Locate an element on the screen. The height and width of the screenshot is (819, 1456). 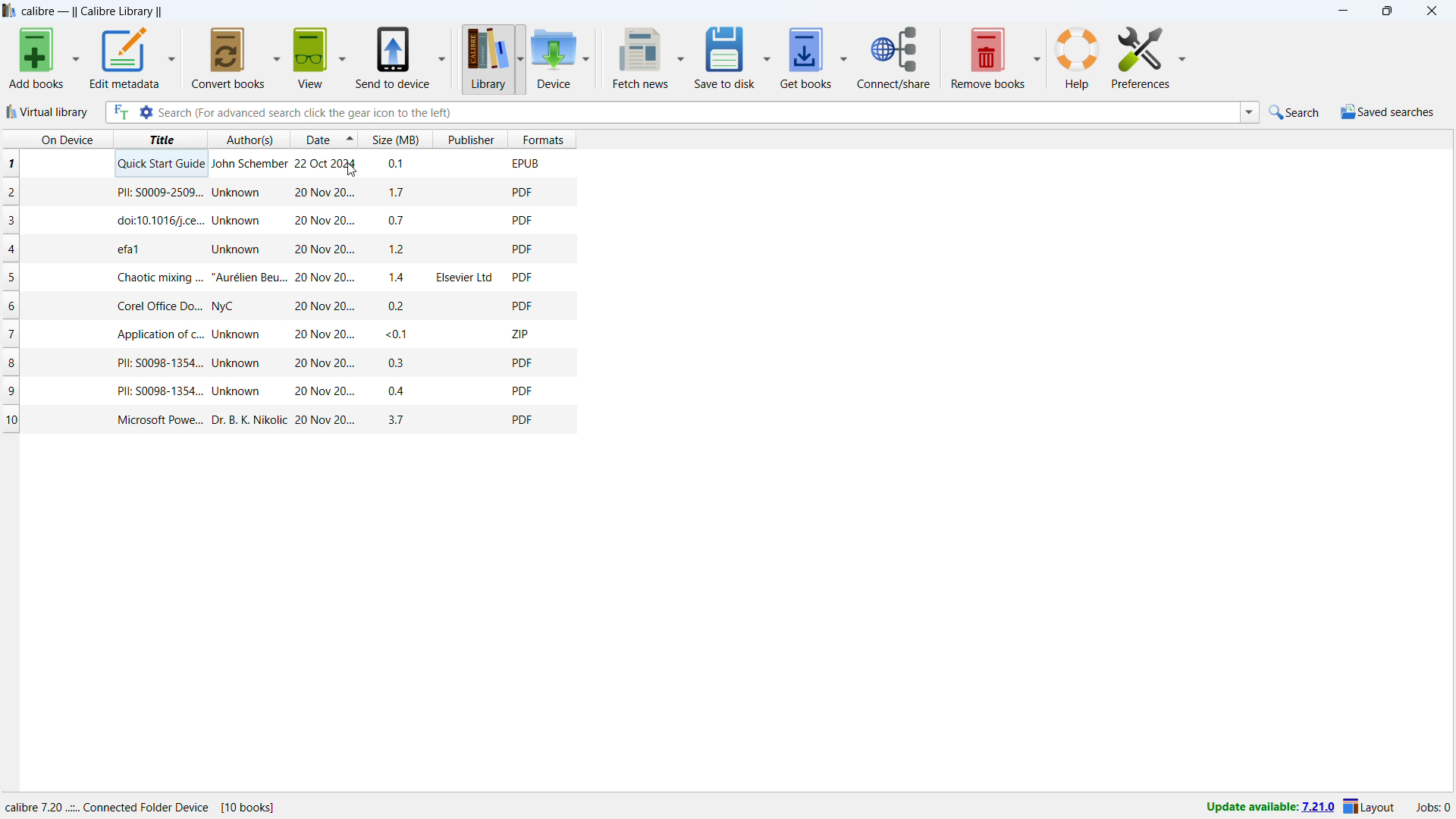
advanced search is located at coordinates (146, 113).